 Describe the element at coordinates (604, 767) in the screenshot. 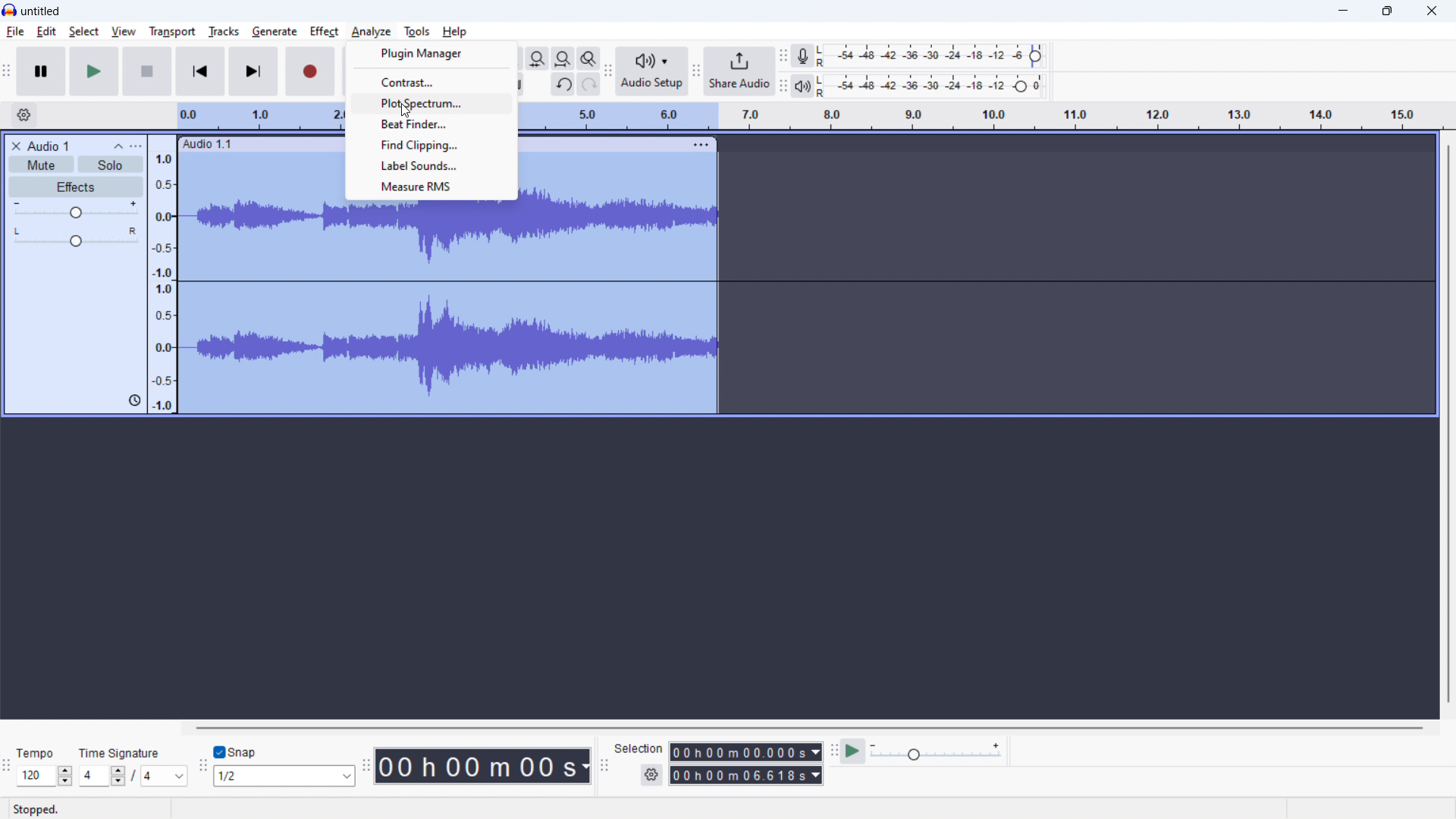

I see `selection toolbar` at that location.